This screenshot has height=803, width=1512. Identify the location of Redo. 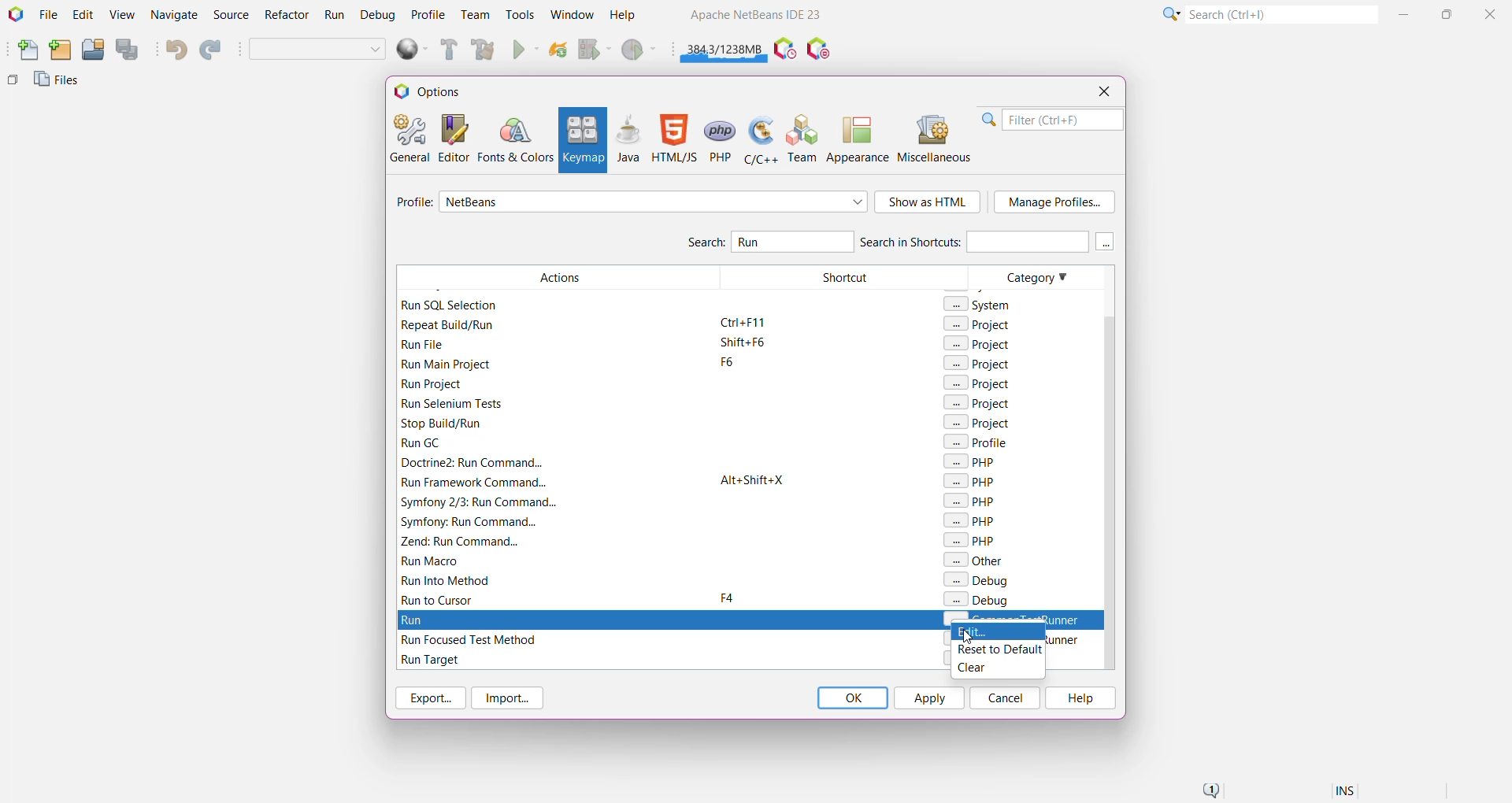
(213, 50).